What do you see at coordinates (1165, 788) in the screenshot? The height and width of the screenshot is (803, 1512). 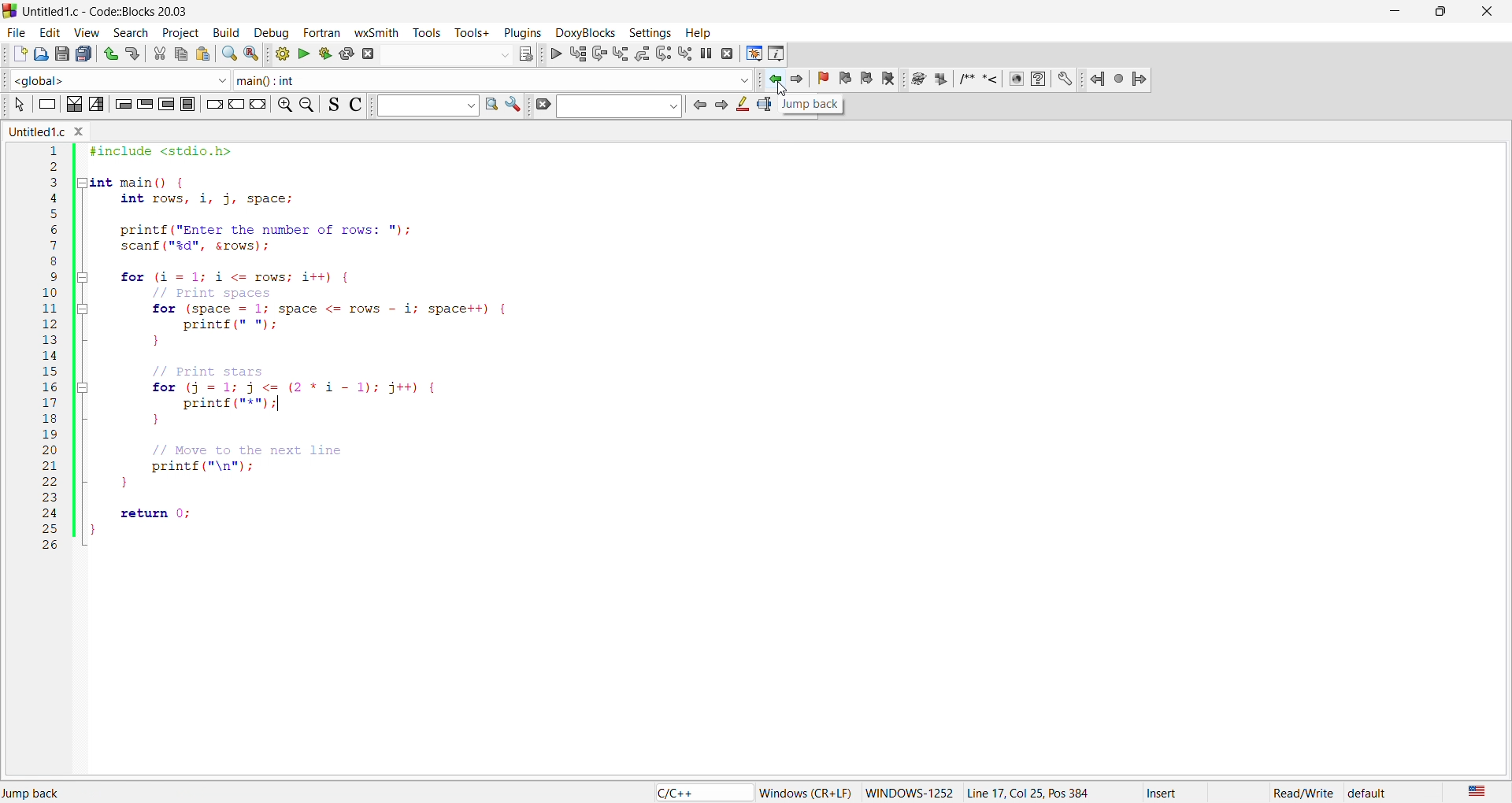 I see `insert` at bounding box center [1165, 788].